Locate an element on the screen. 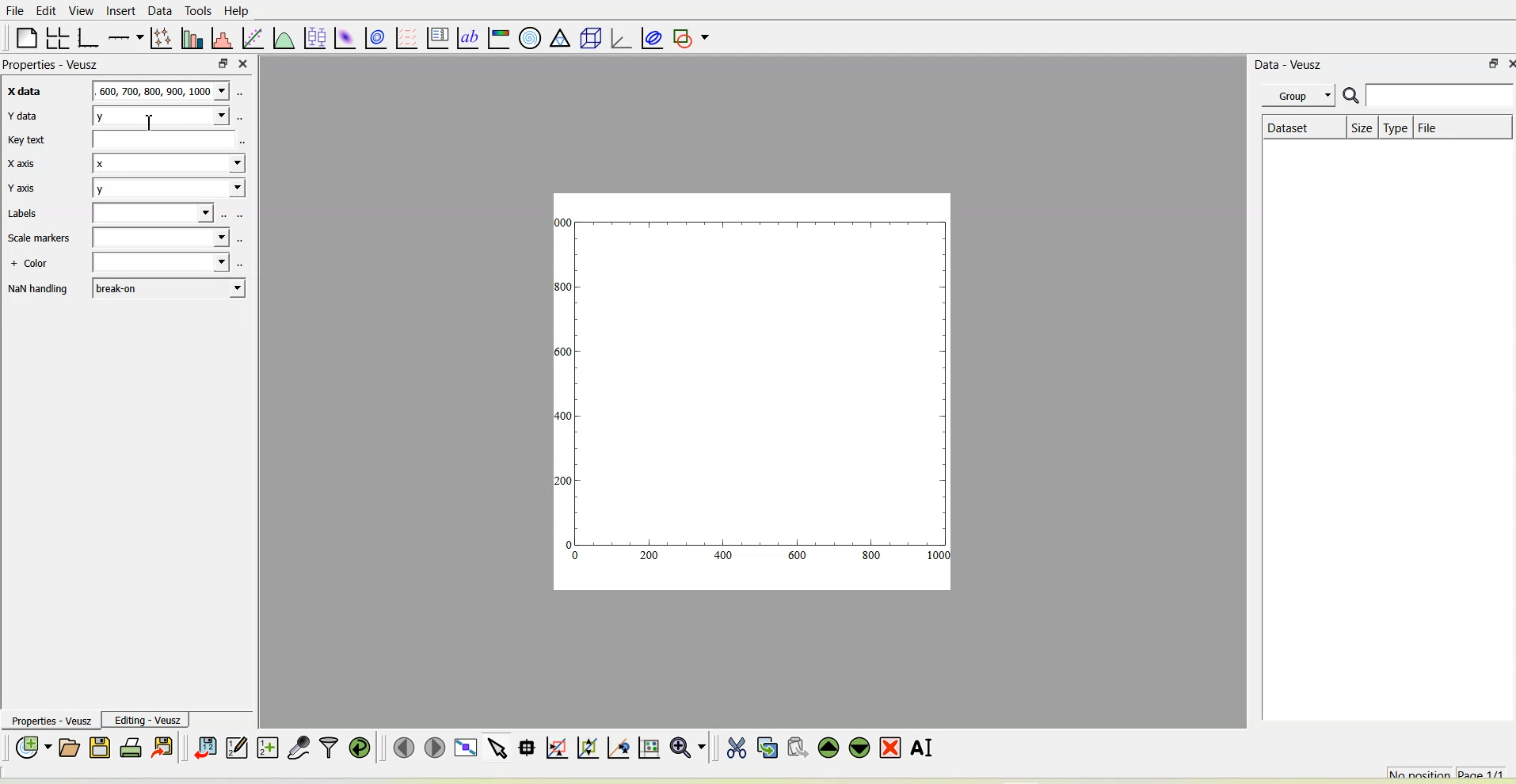 The width and height of the screenshot is (1516, 784). Plot points with lines and errorbars is located at coordinates (162, 36).